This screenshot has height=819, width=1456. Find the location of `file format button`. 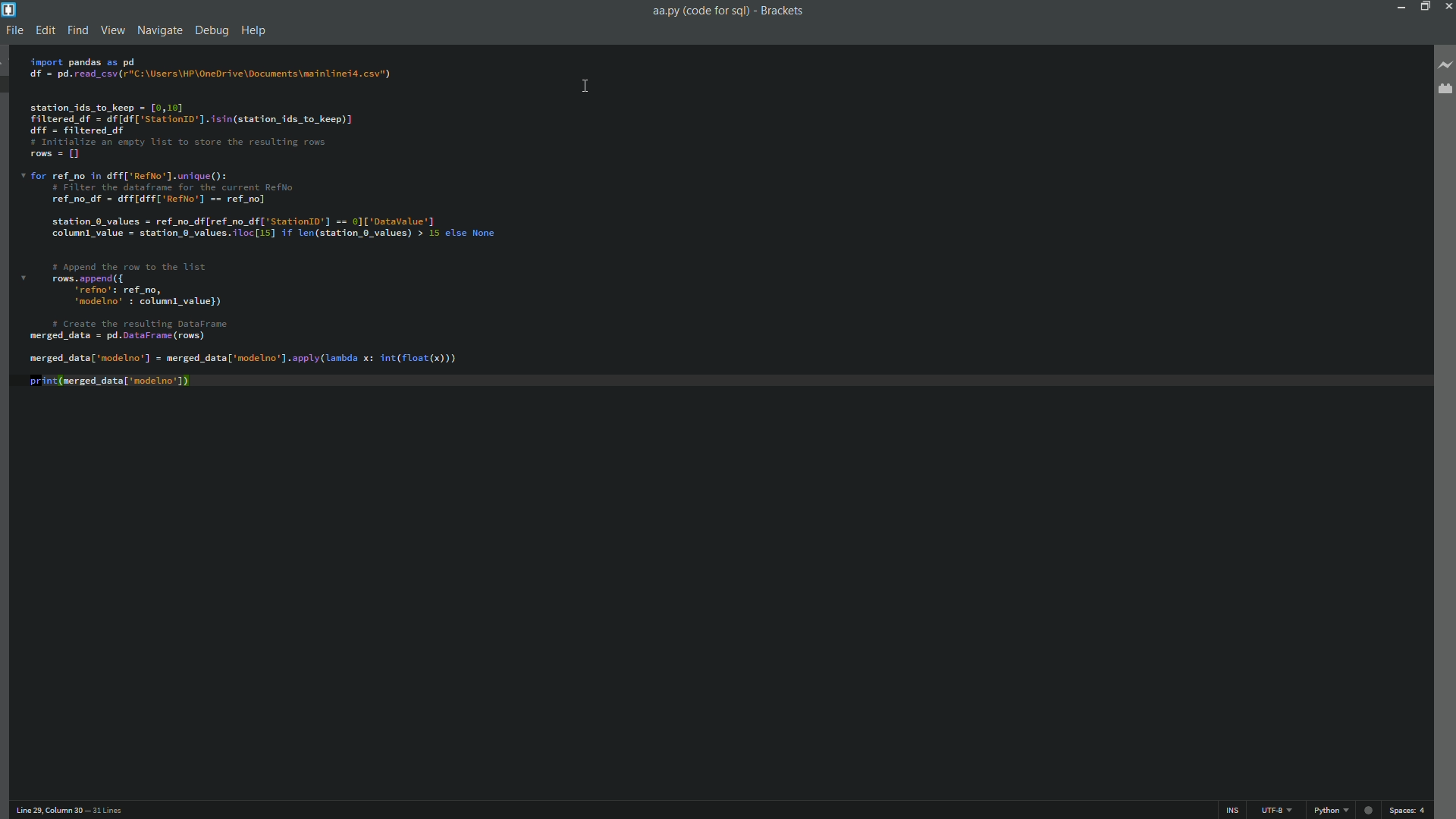

file format button is located at coordinates (1331, 810).